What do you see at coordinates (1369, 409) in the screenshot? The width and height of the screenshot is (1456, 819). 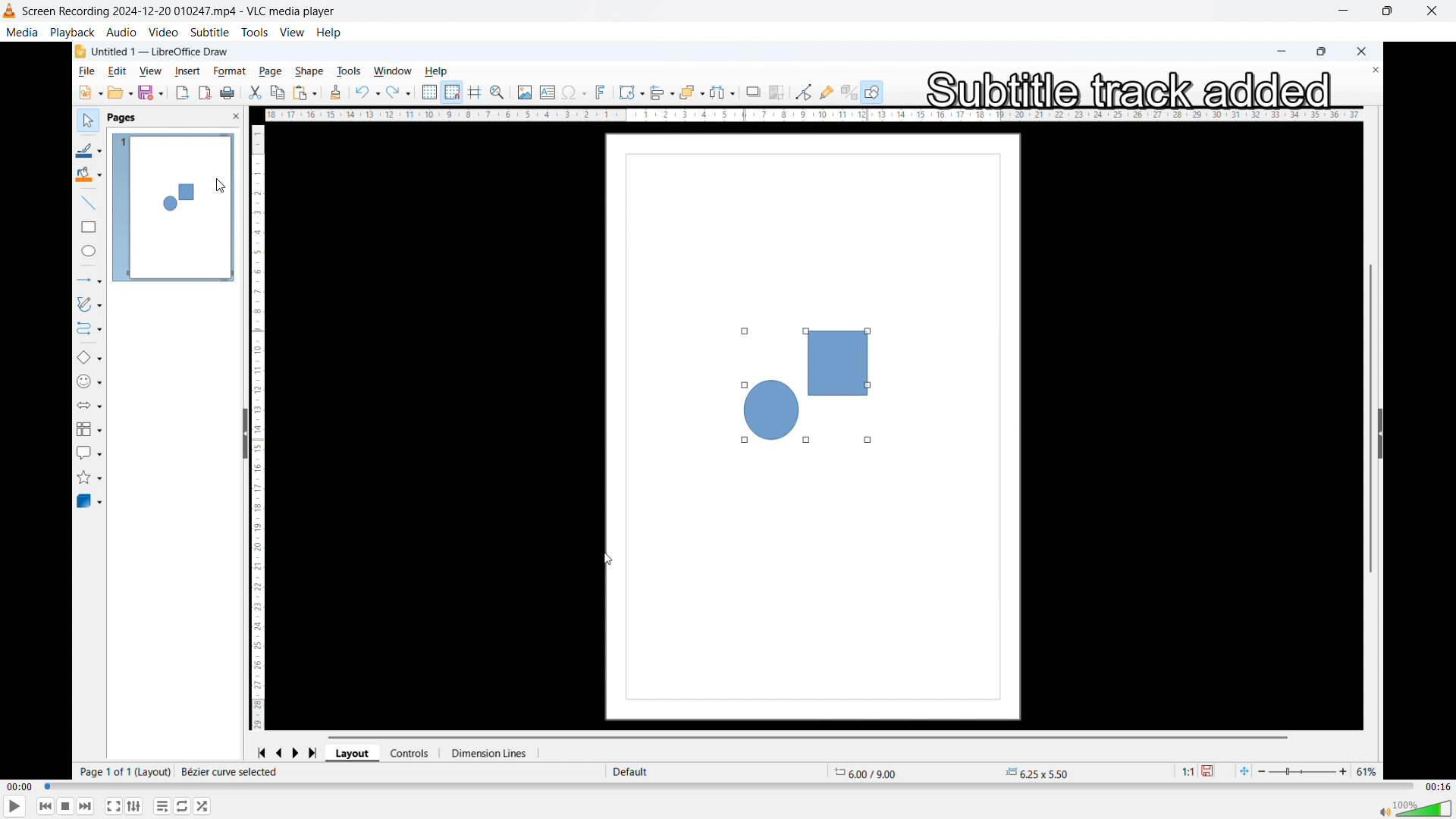 I see `vertical scroll bar` at bounding box center [1369, 409].